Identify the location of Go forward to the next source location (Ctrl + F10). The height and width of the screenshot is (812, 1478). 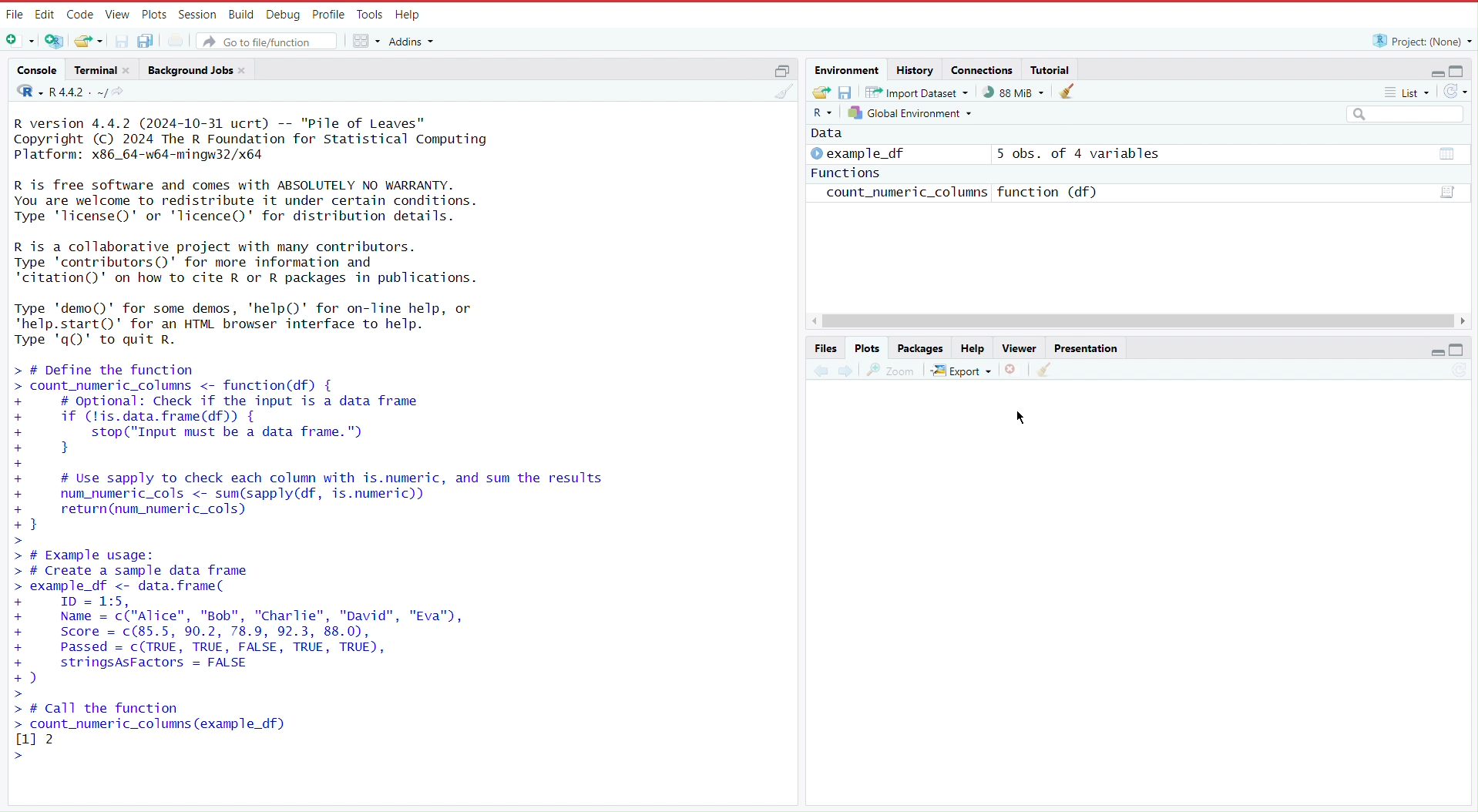
(845, 368).